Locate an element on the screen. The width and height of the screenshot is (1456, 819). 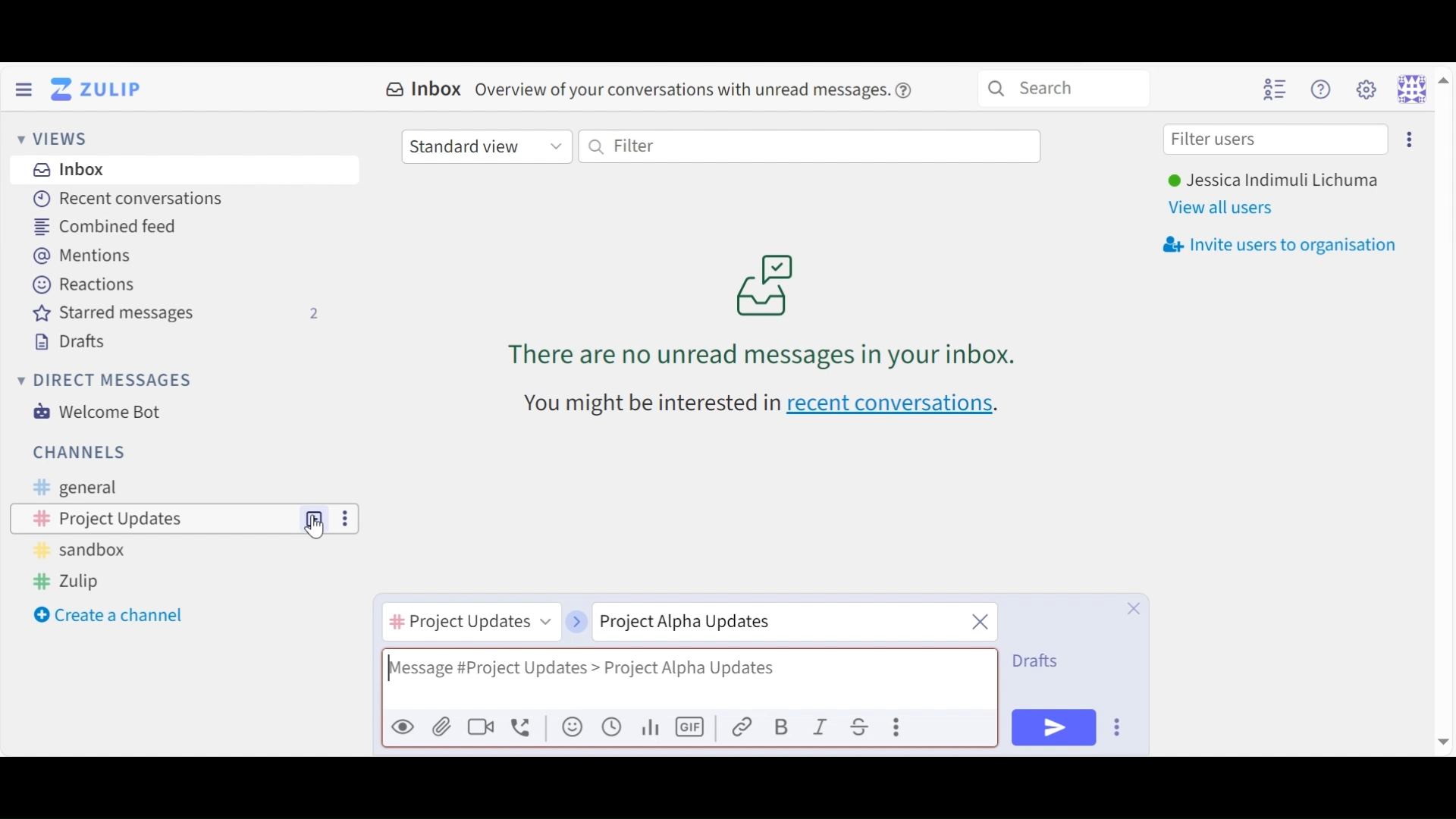
Send Options is located at coordinates (1119, 726).